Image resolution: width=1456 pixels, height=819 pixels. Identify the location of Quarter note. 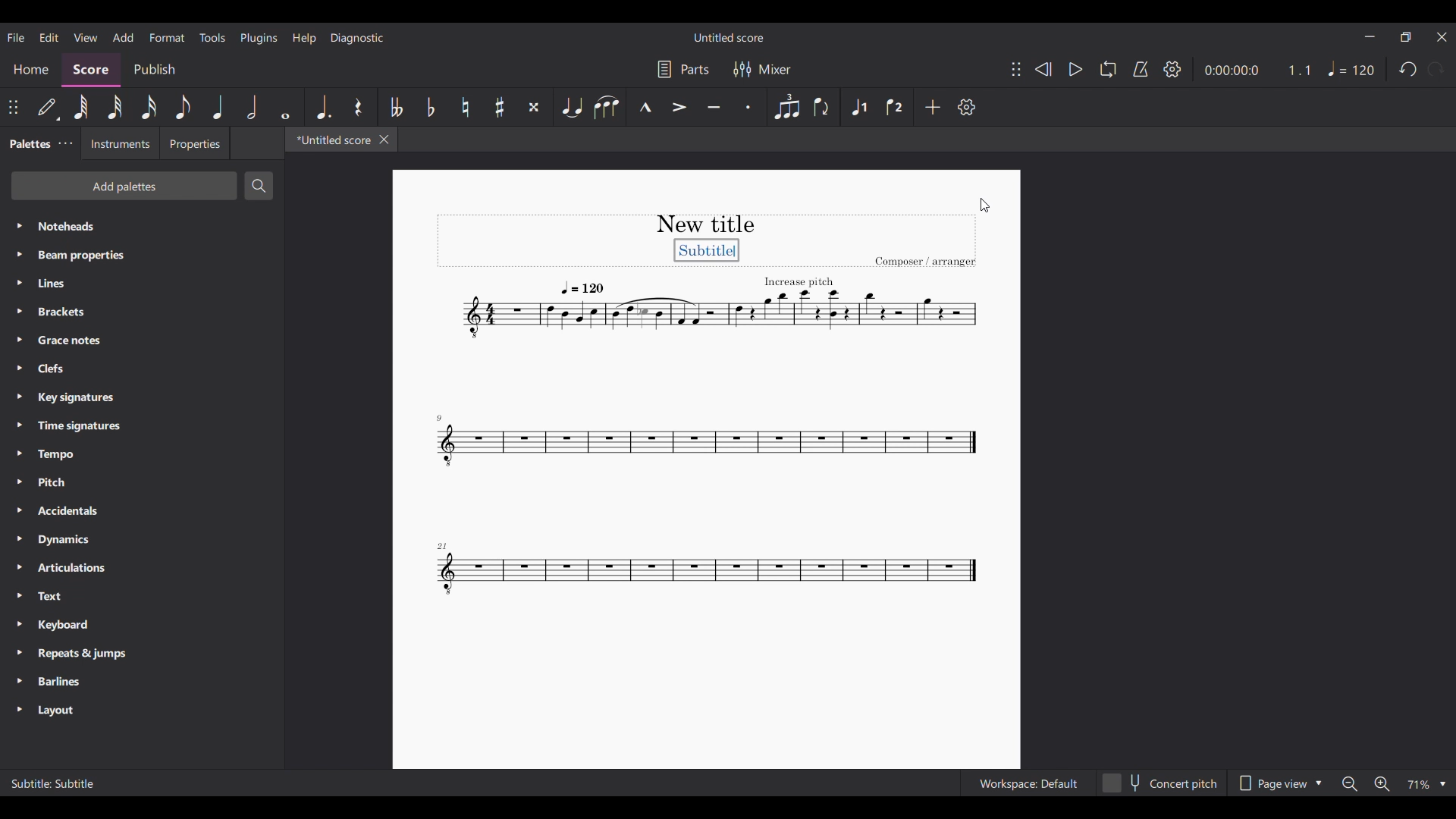
(218, 107).